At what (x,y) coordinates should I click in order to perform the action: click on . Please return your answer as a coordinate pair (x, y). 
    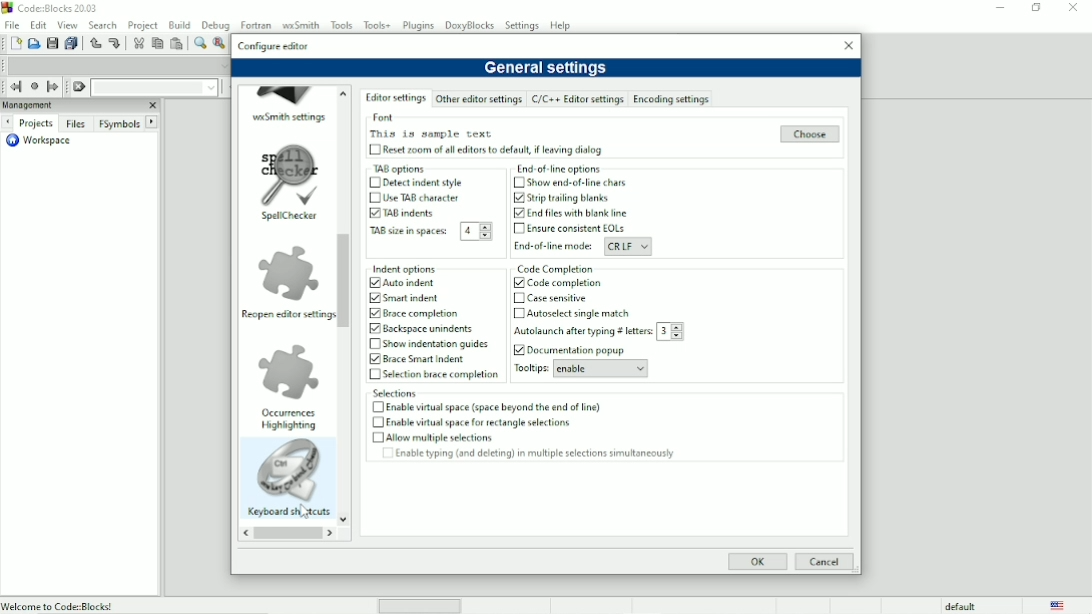
    Looking at the image, I should click on (518, 350).